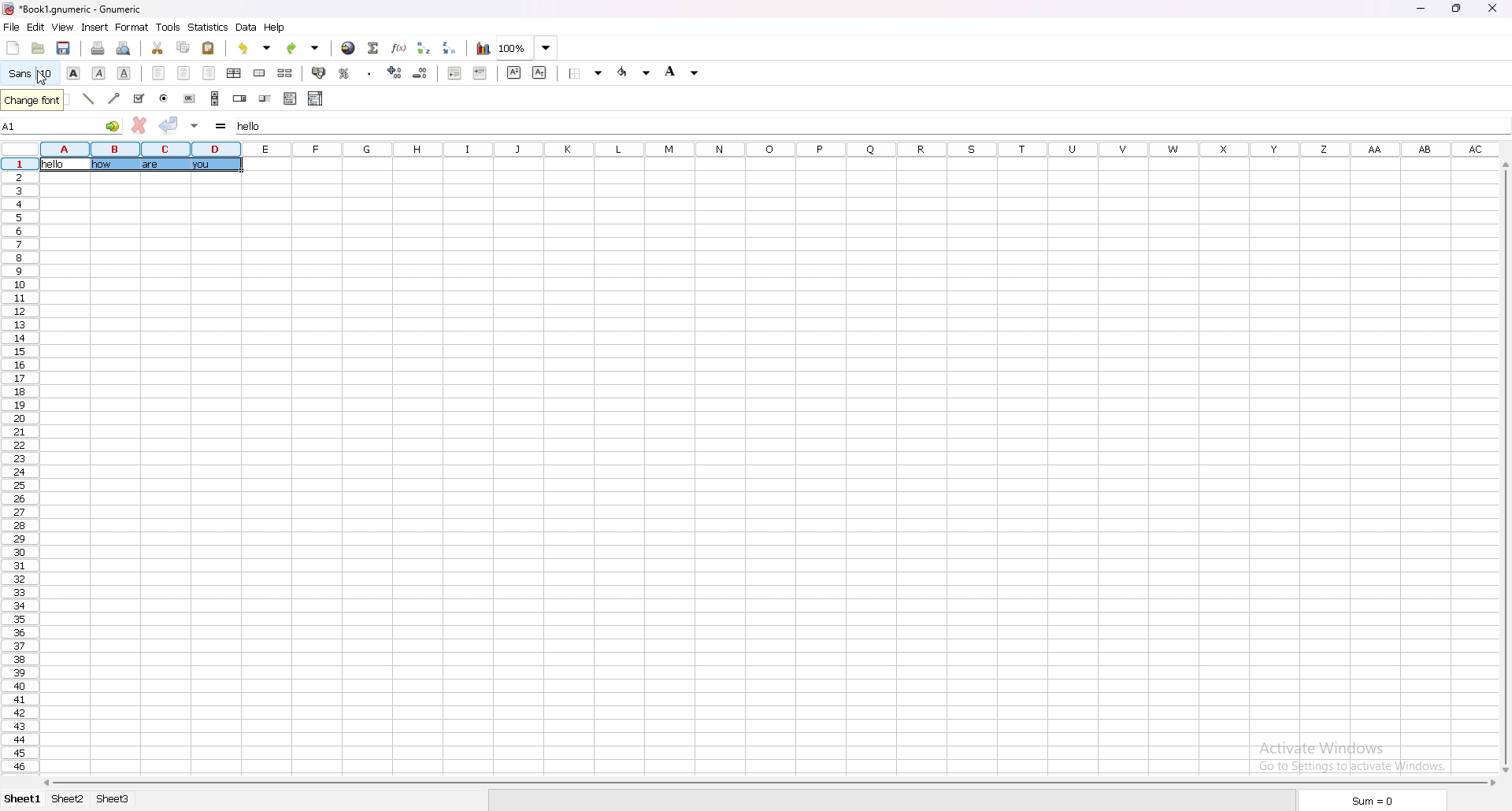 This screenshot has height=811, width=1512. What do you see at coordinates (396, 72) in the screenshot?
I see `increase decimal` at bounding box center [396, 72].